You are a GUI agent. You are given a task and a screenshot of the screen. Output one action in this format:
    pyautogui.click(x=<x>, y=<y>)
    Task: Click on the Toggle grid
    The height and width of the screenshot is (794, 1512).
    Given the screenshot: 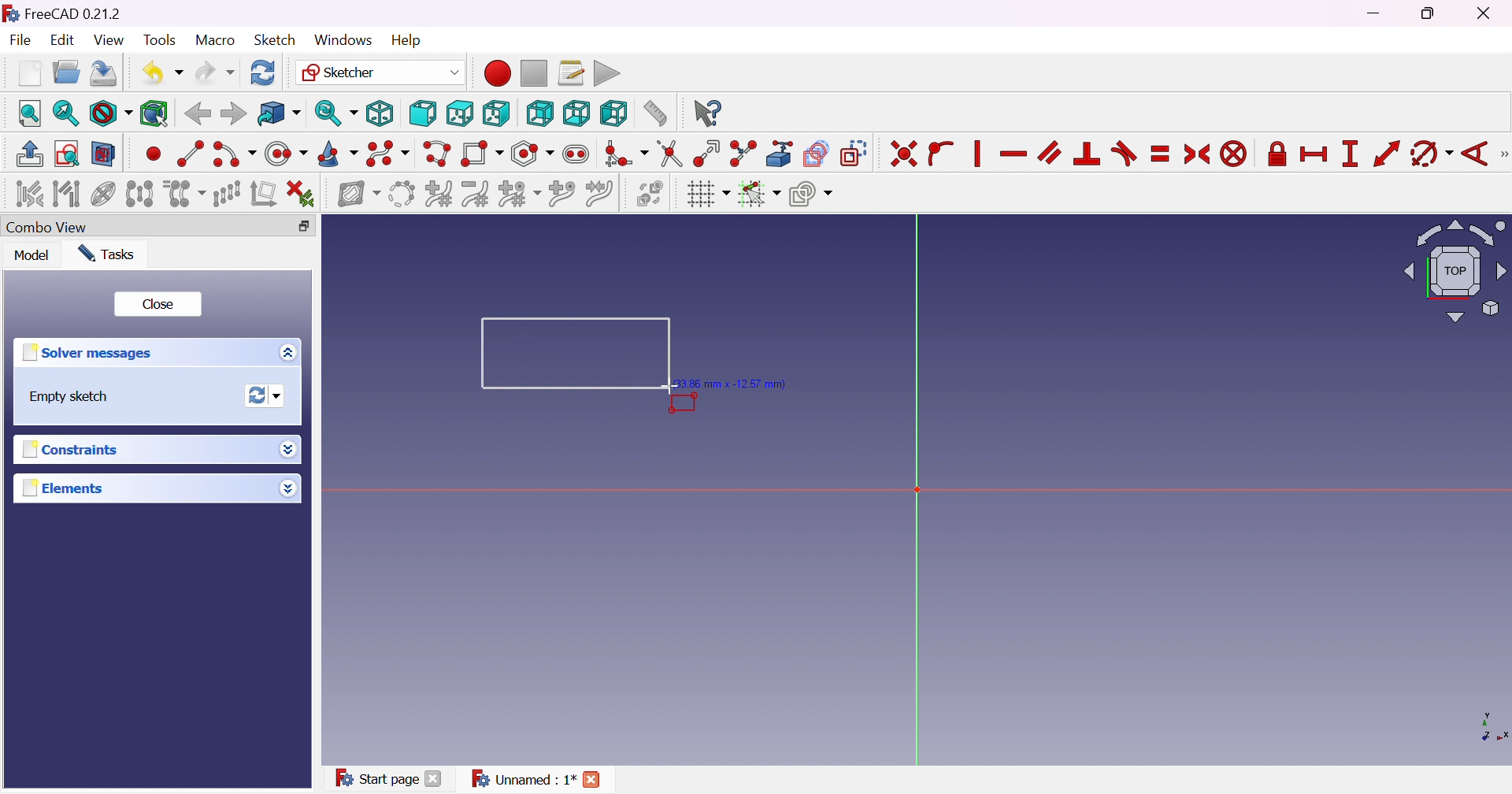 What is the action you would take?
    pyautogui.click(x=707, y=195)
    